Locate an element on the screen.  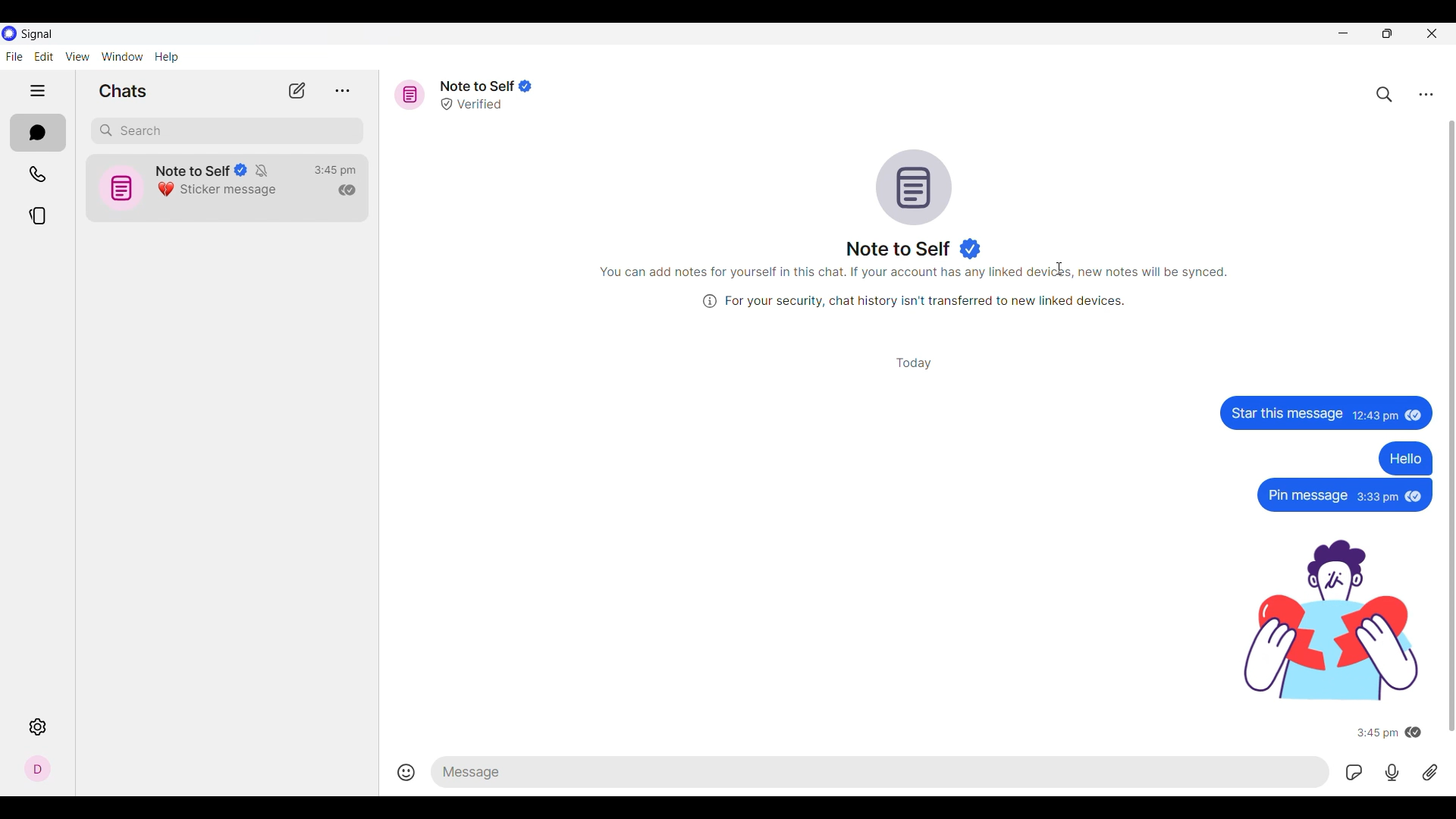
12:43 pm is located at coordinates (1375, 416).